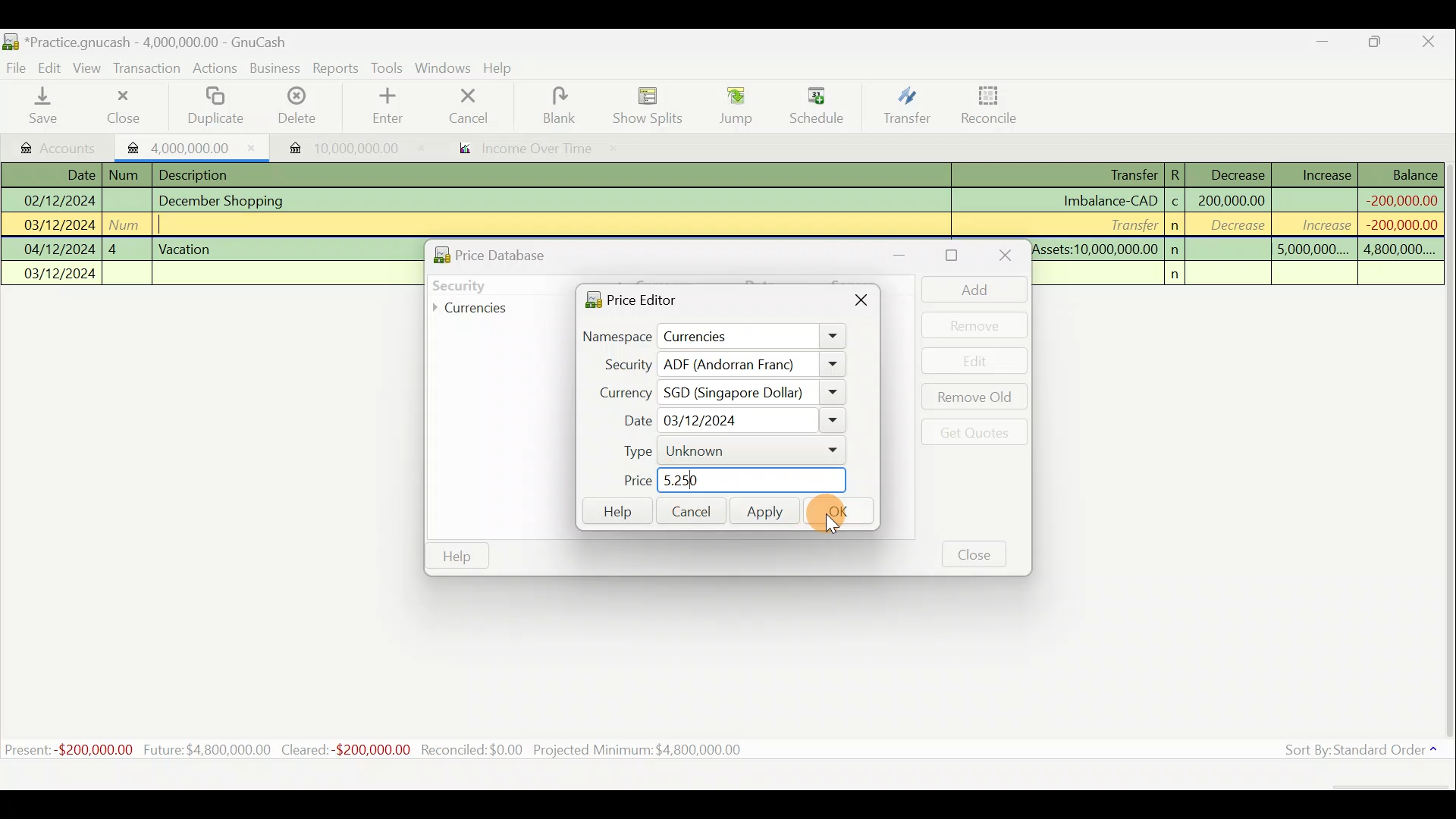 Image resolution: width=1456 pixels, height=819 pixels. What do you see at coordinates (1003, 257) in the screenshot?
I see `Close` at bounding box center [1003, 257].